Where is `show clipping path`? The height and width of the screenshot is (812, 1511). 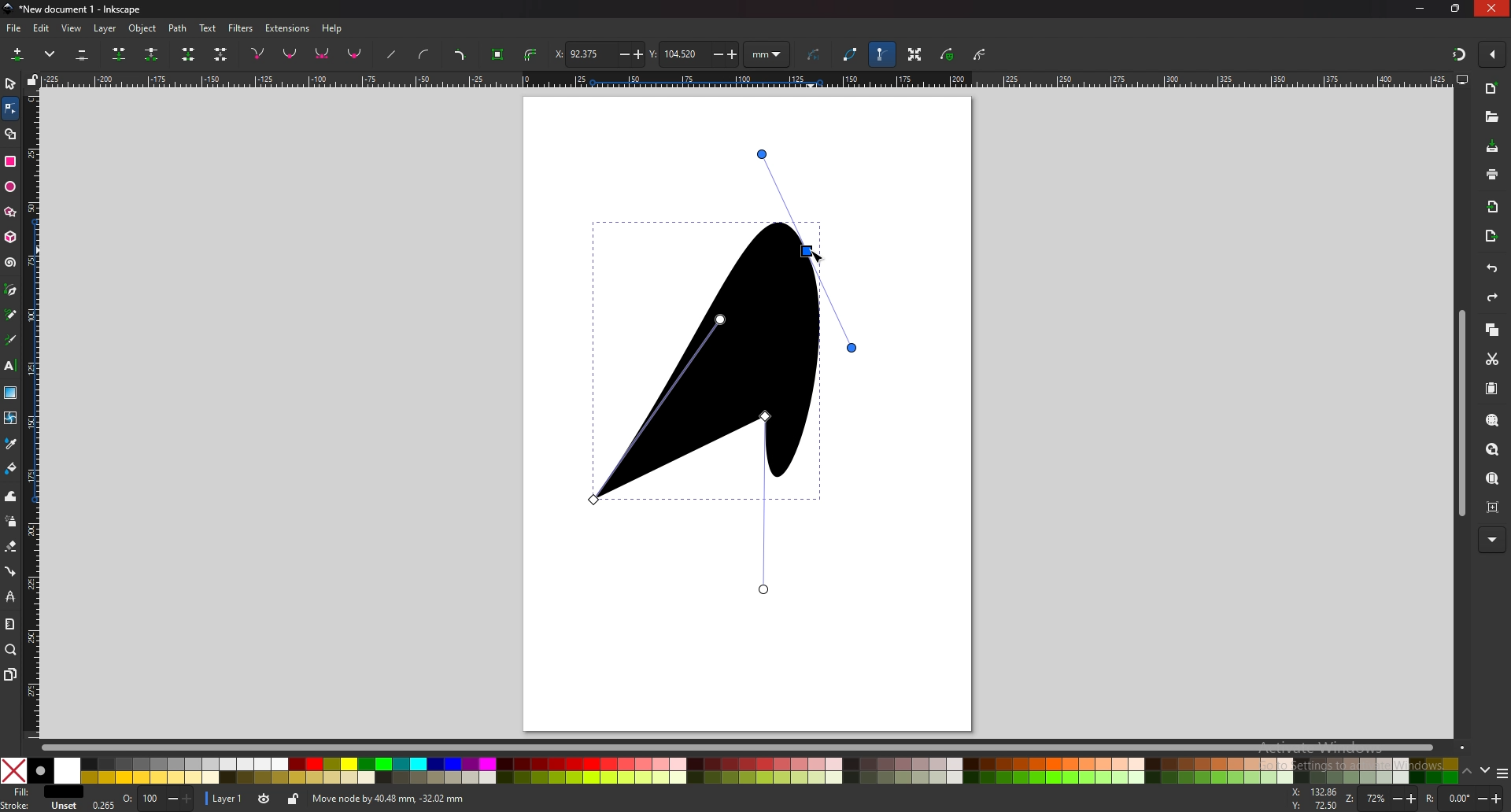
show clipping path is located at coordinates (980, 54).